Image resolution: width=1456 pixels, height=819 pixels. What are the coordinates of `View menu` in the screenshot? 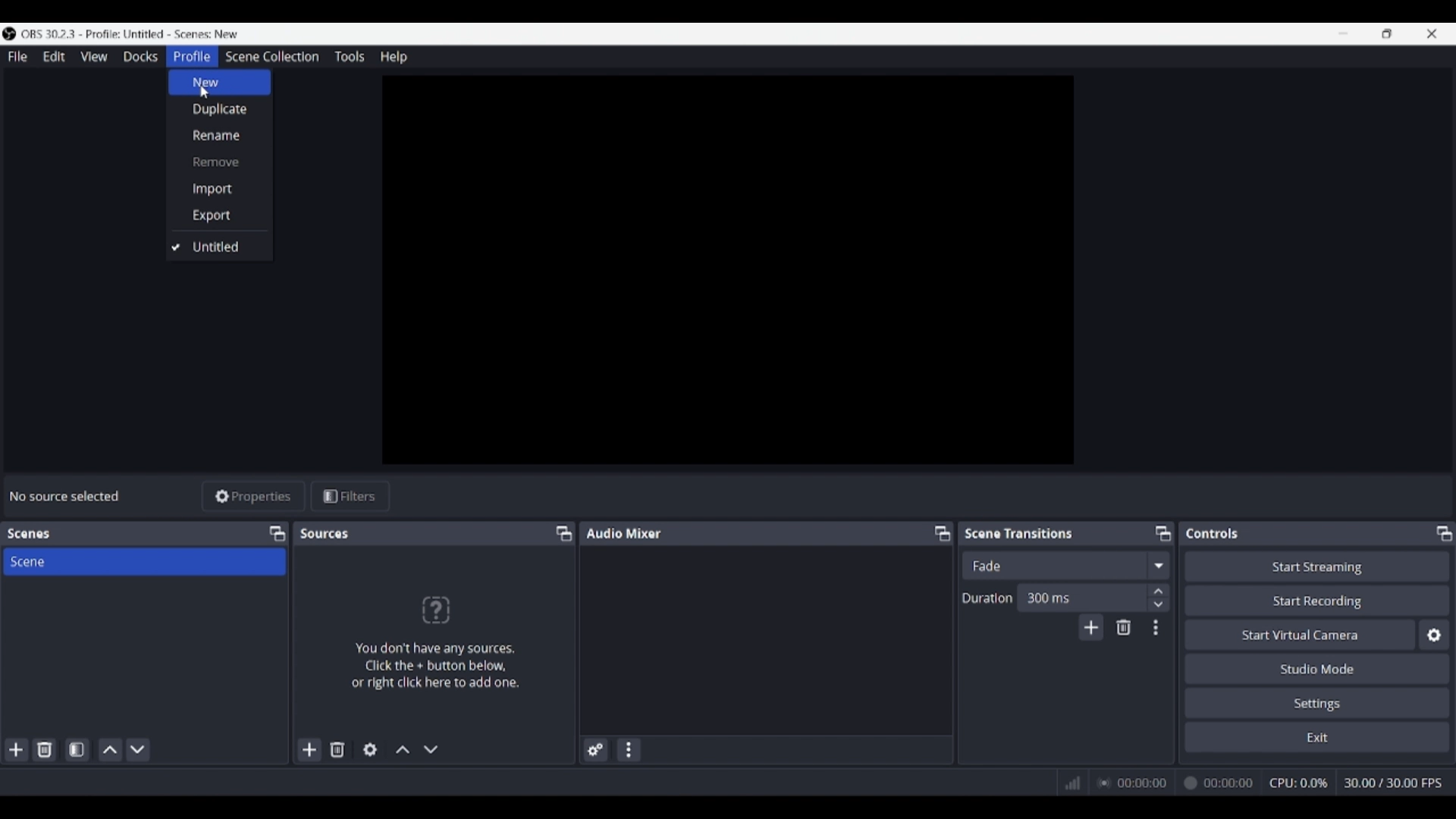 It's located at (94, 56).